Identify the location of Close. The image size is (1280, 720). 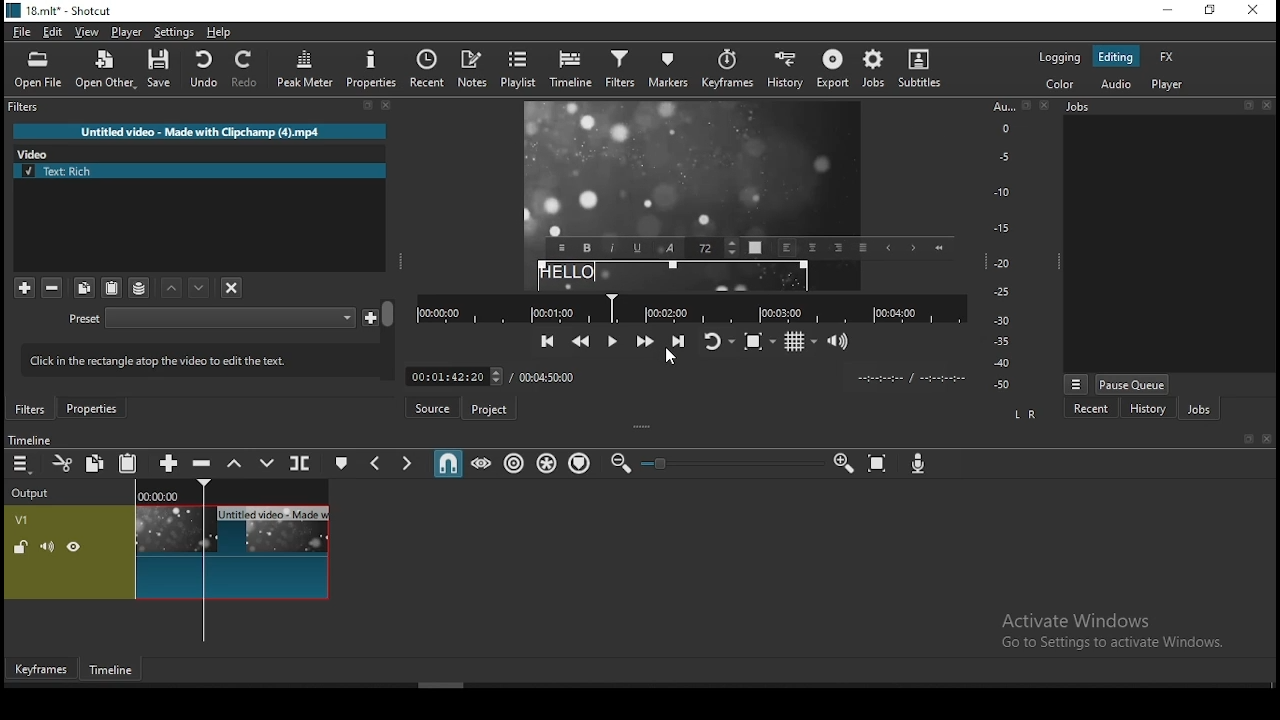
(387, 105).